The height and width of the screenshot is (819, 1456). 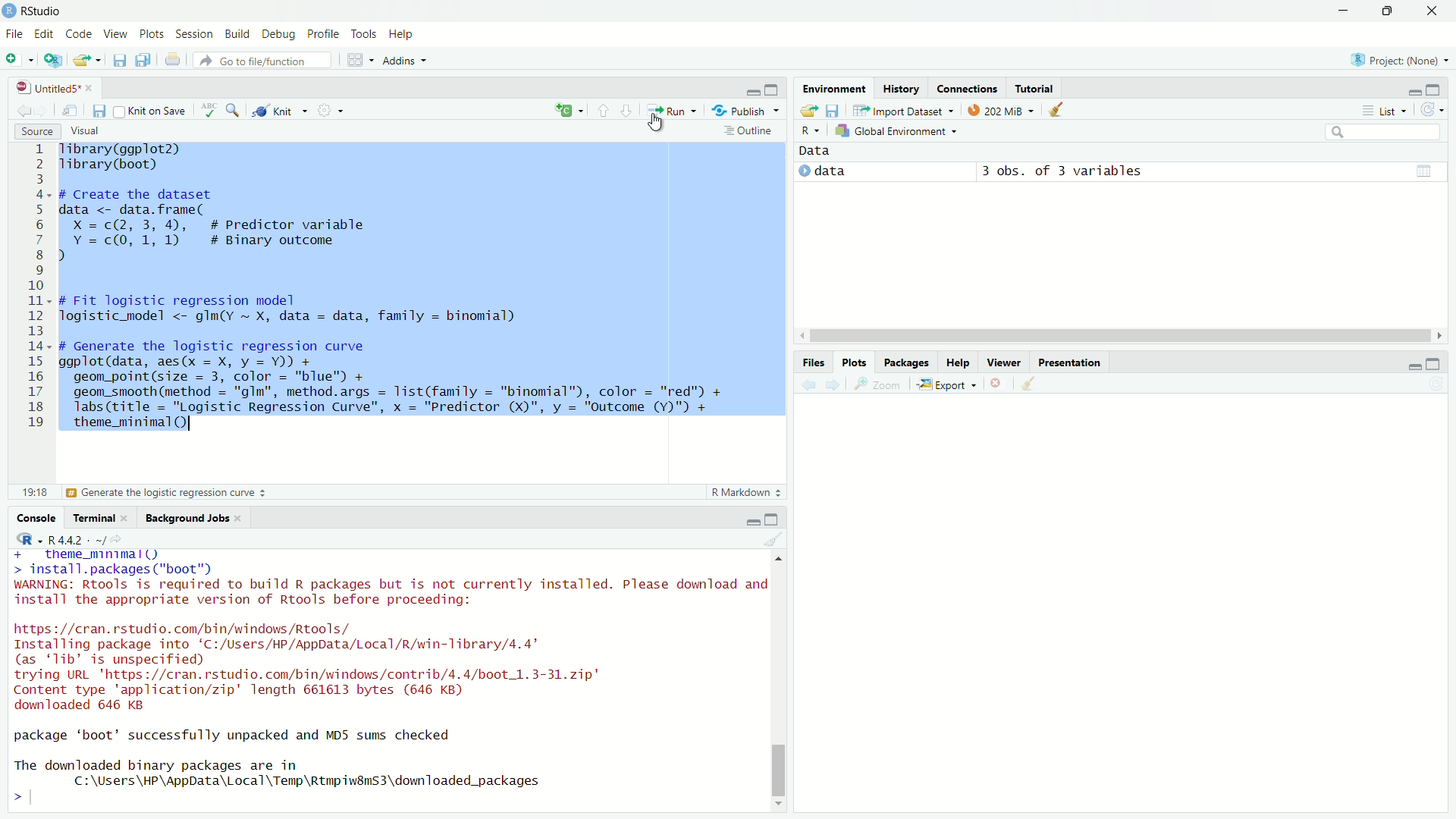 What do you see at coordinates (393, 293) in the screenshot?
I see `Tlibrary(ggplot2)

library (boot)

# Create the dataset

data <- data.frame(
X =c(2, 3, 4), # Predictor variable
Y =c(, 1, 1) # Binary outcome

J

# Fit logistic regression model

Togistic_model <- gIm(Y ~ X, data = data, family = binomial) I

# Generate the logistic regression curve

ggplot(data, aes(x = X, y = Y)) +
geom_point(size = 3, color = "blue") +
geom_smooth(method = "gm", method.args = list(family = "binomial™), color = "red") +
Tabs (title = "Logistic Regression Curve", x = "Predictor (X)", y = "outcome (Y)") +
theme_minimal()` at bounding box center [393, 293].